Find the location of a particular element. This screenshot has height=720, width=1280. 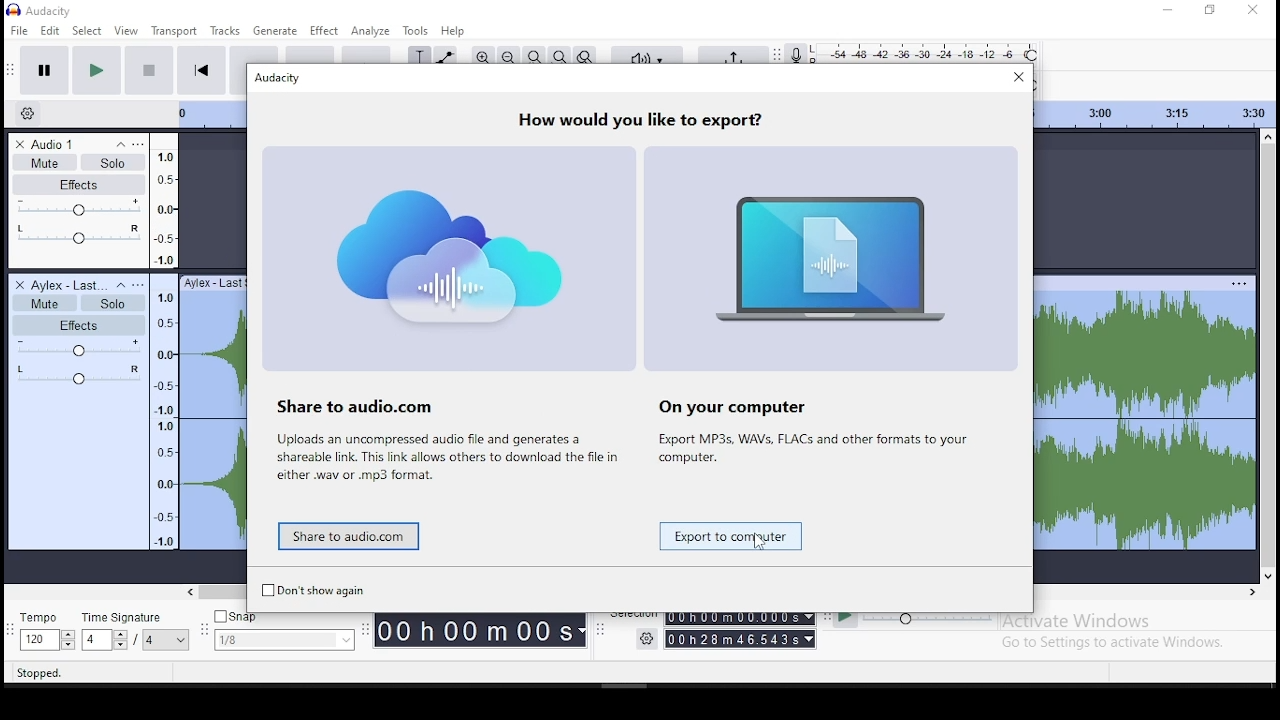

effects is located at coordinates (75, 323).